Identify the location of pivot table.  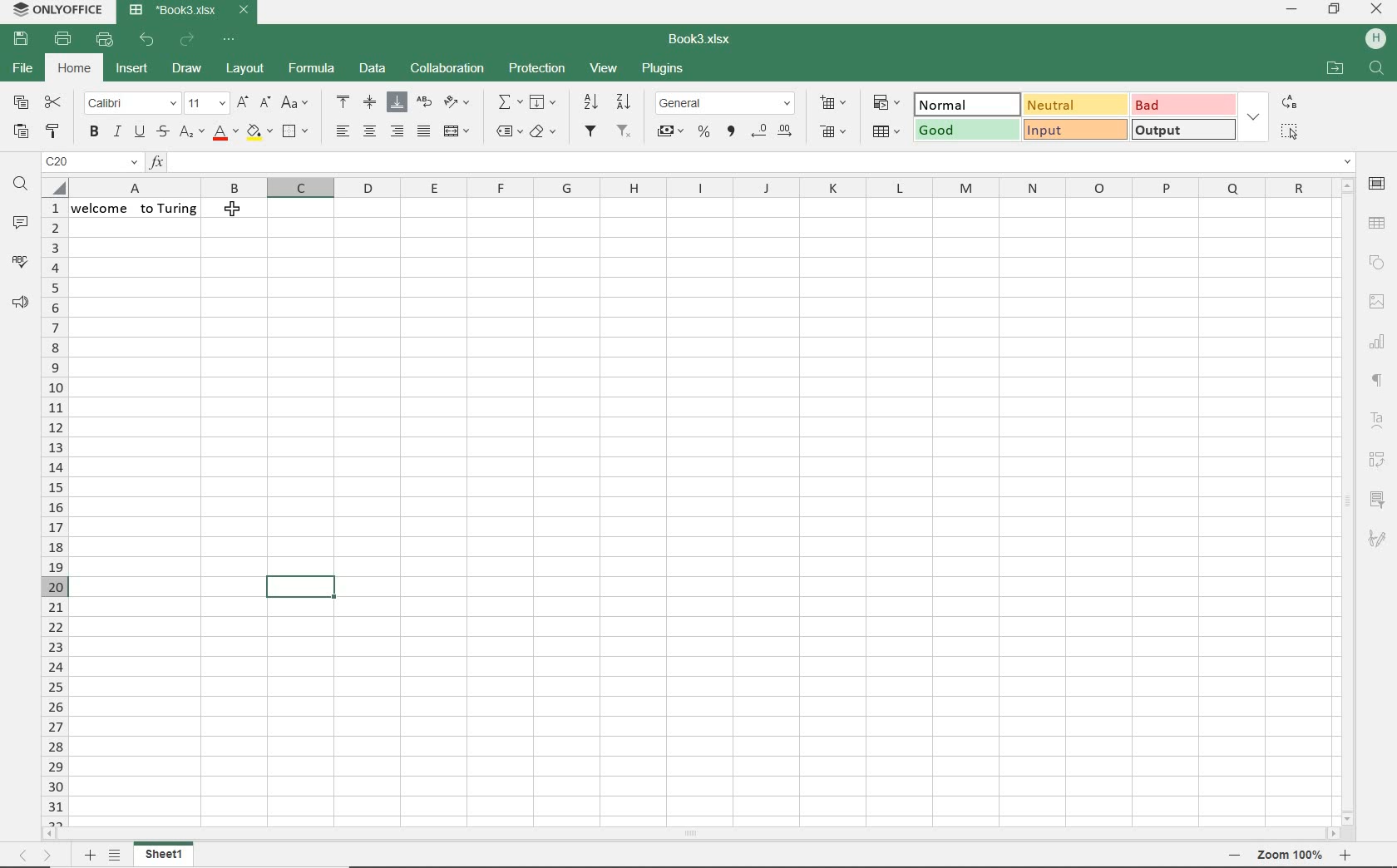
(1379, 460).